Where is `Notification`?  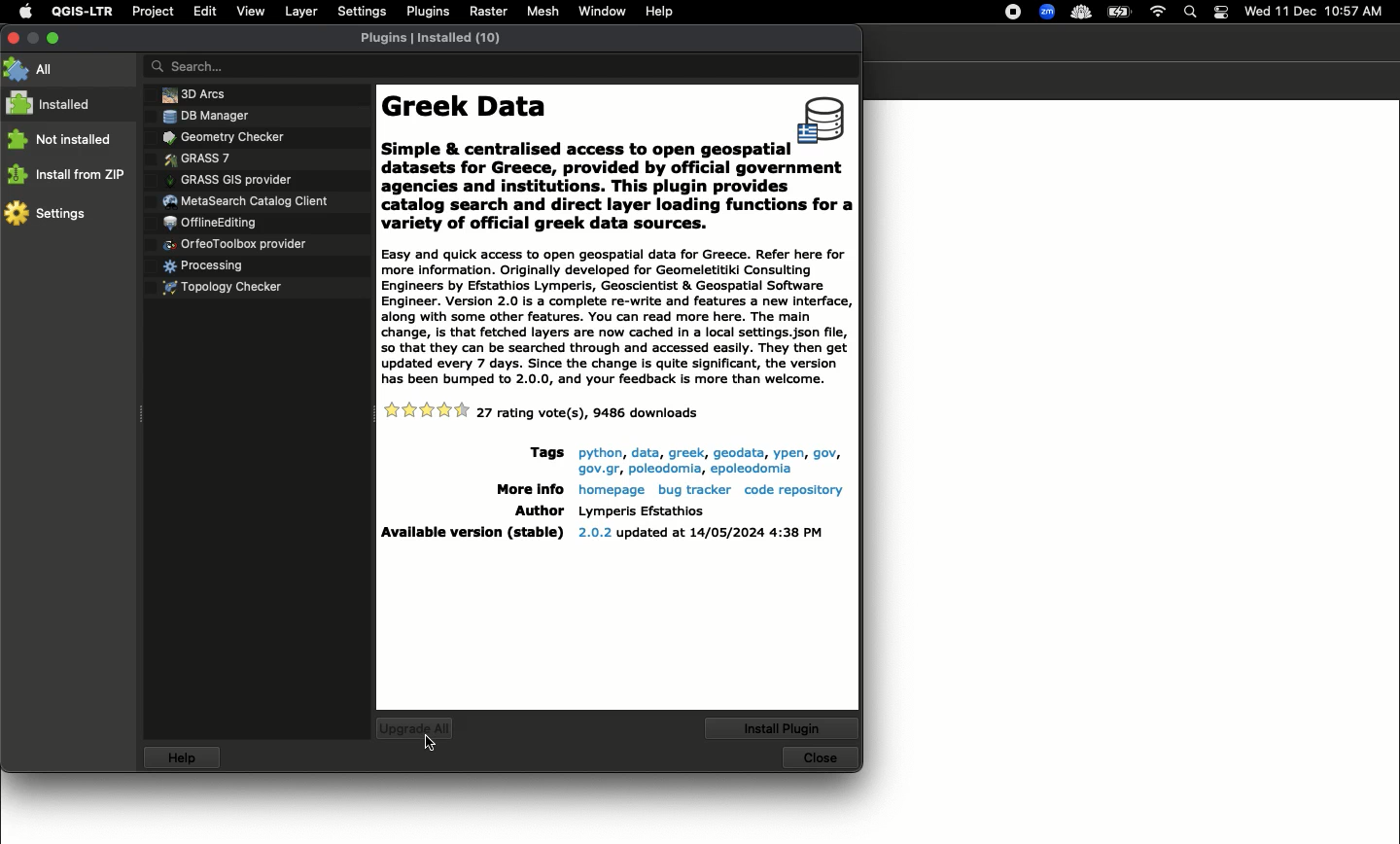 Notification is located at coordinates (1220, 11).